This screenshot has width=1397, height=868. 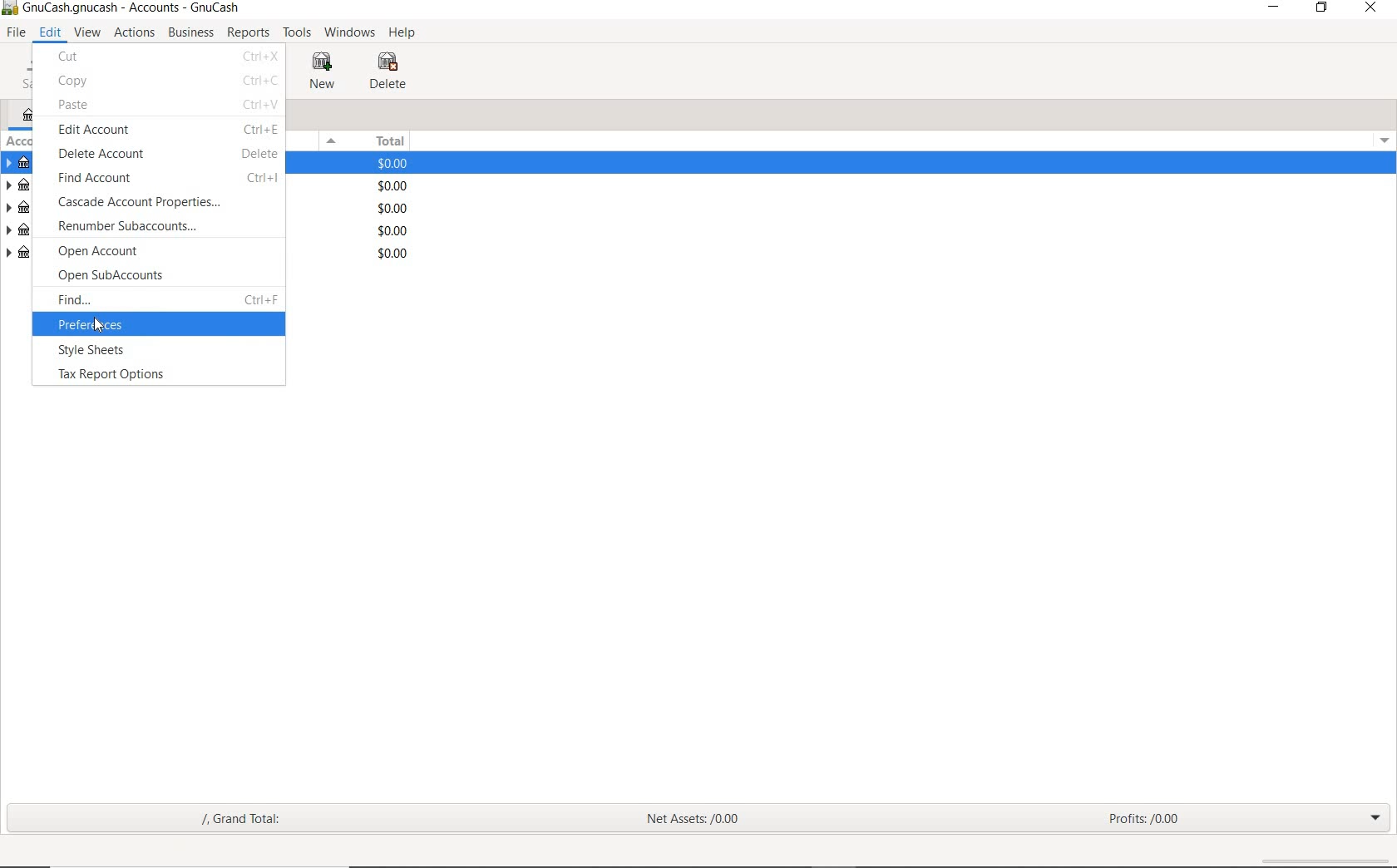 I want to click on , so click(x=262, y=181).